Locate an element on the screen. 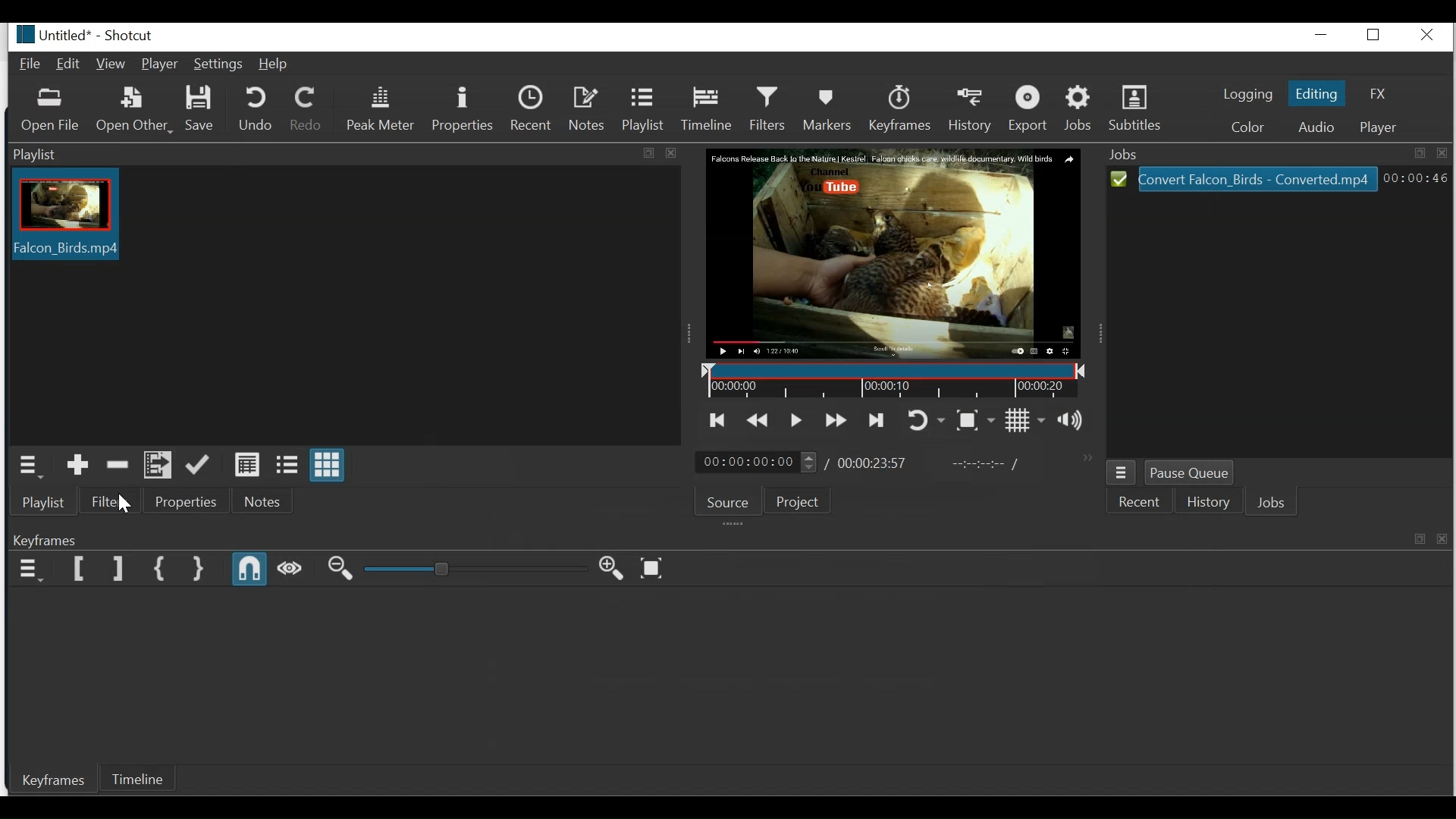  View is located at coordinates (111, 65).